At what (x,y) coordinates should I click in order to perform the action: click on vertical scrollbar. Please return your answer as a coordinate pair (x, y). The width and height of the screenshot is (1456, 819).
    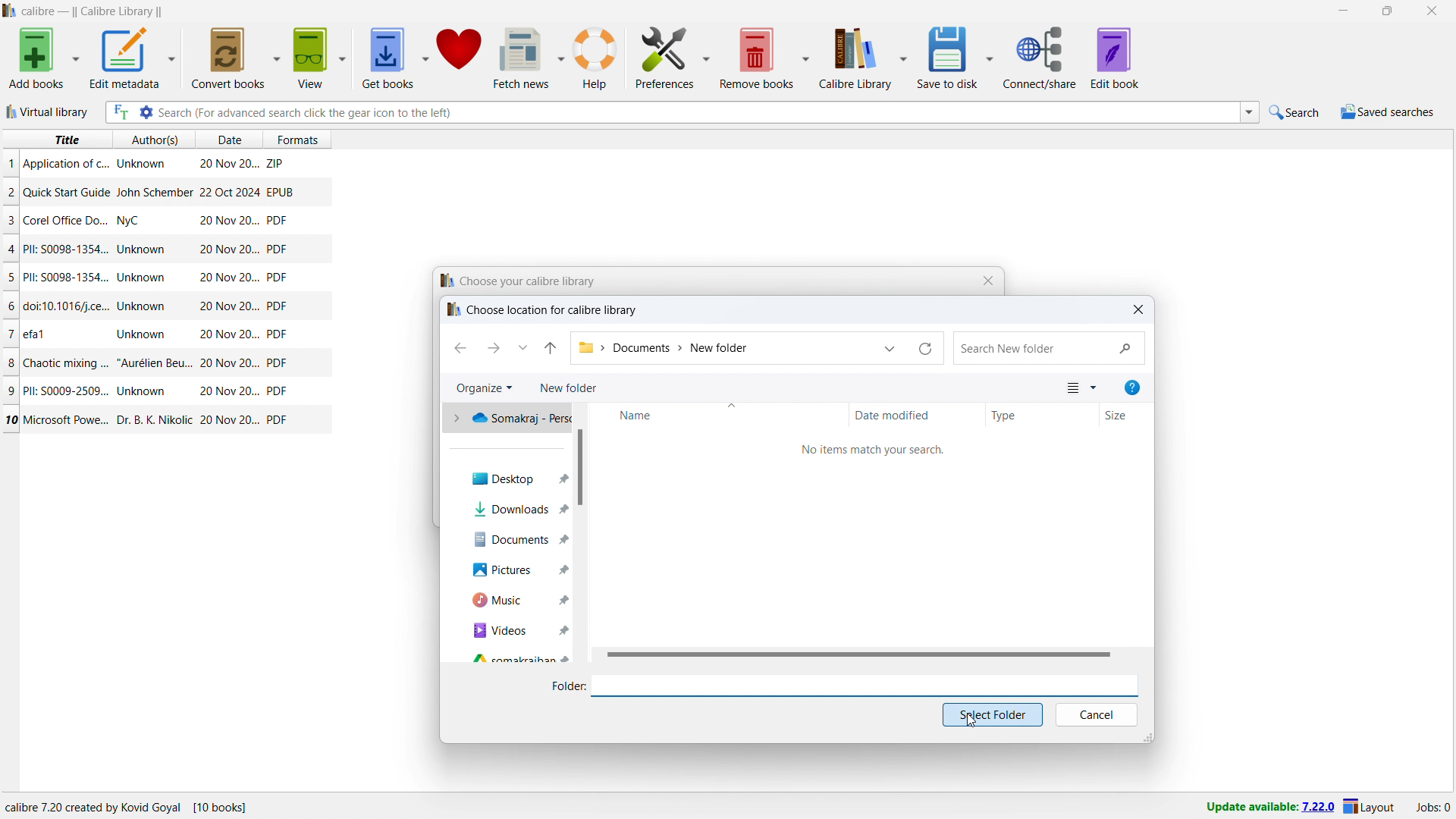
    Looking at the image, I should click on (581, 468).